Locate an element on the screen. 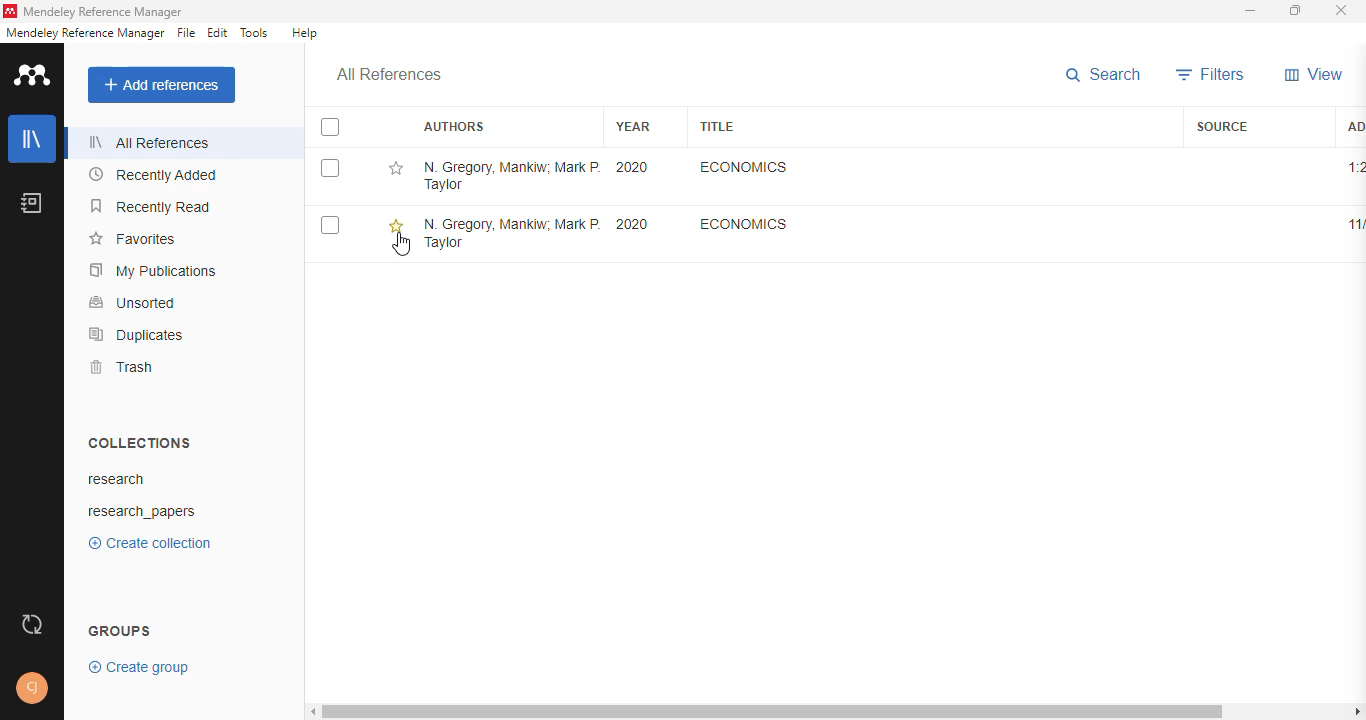 The width and height of the screenshot is (1366, 720). maximize is located at coordinates (1296, 11).